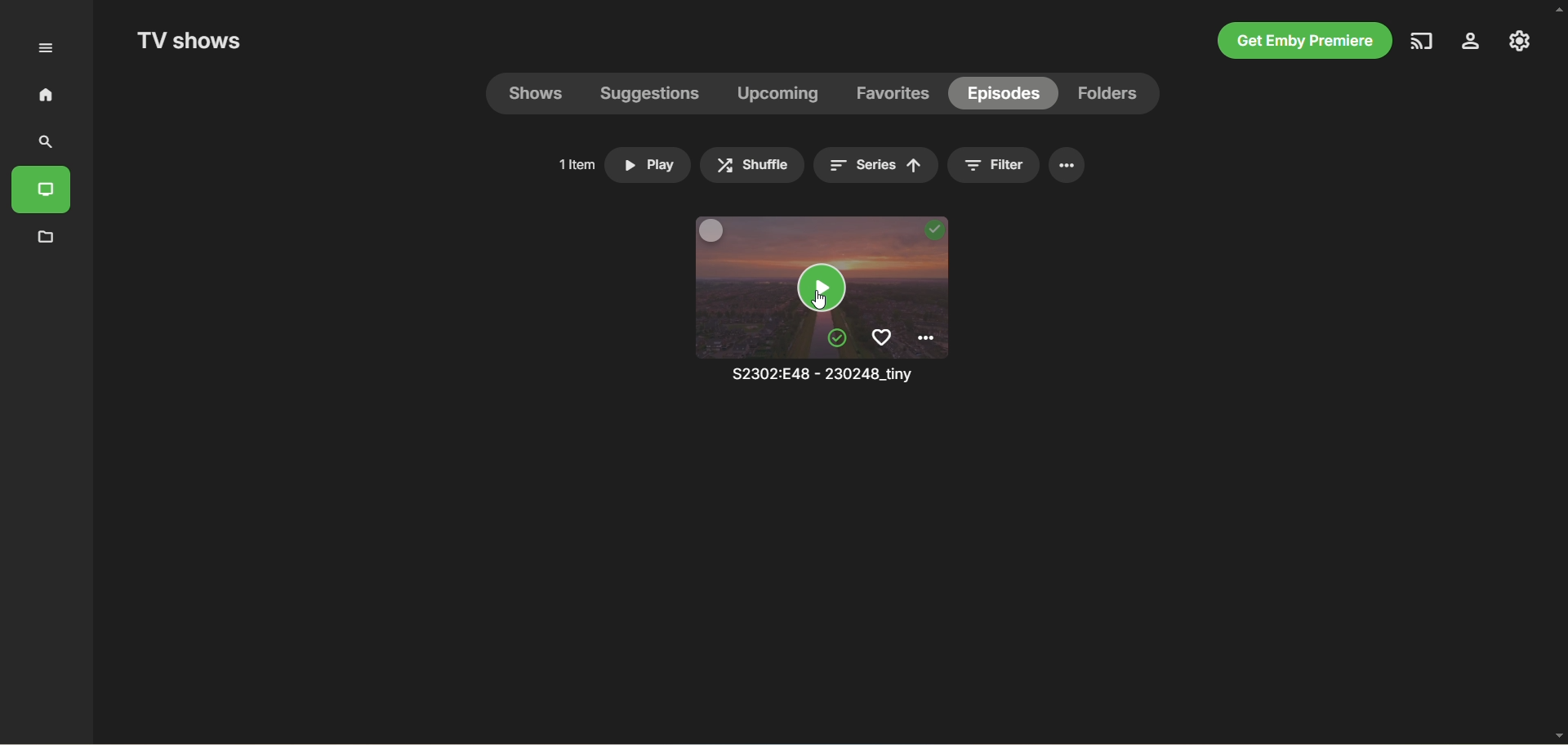 This screenshot has width=1568, height=745. Describe the element at coordinates (712, 230) in the screenshot. I see `Click to select` at that location.